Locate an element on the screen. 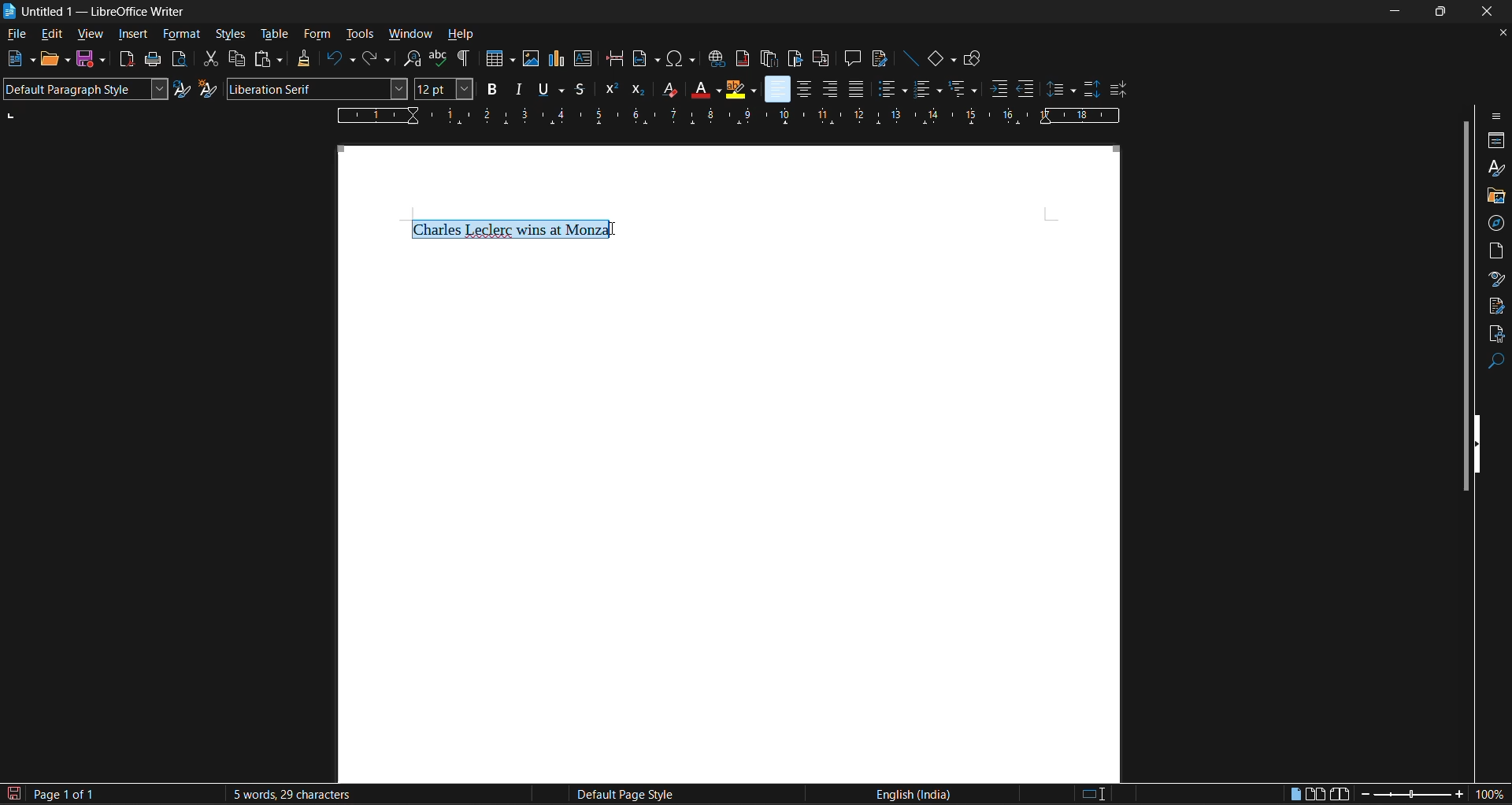 The width and height of the screenshot is (1512, 805). insert endnote is located at coordinates (768, 60).